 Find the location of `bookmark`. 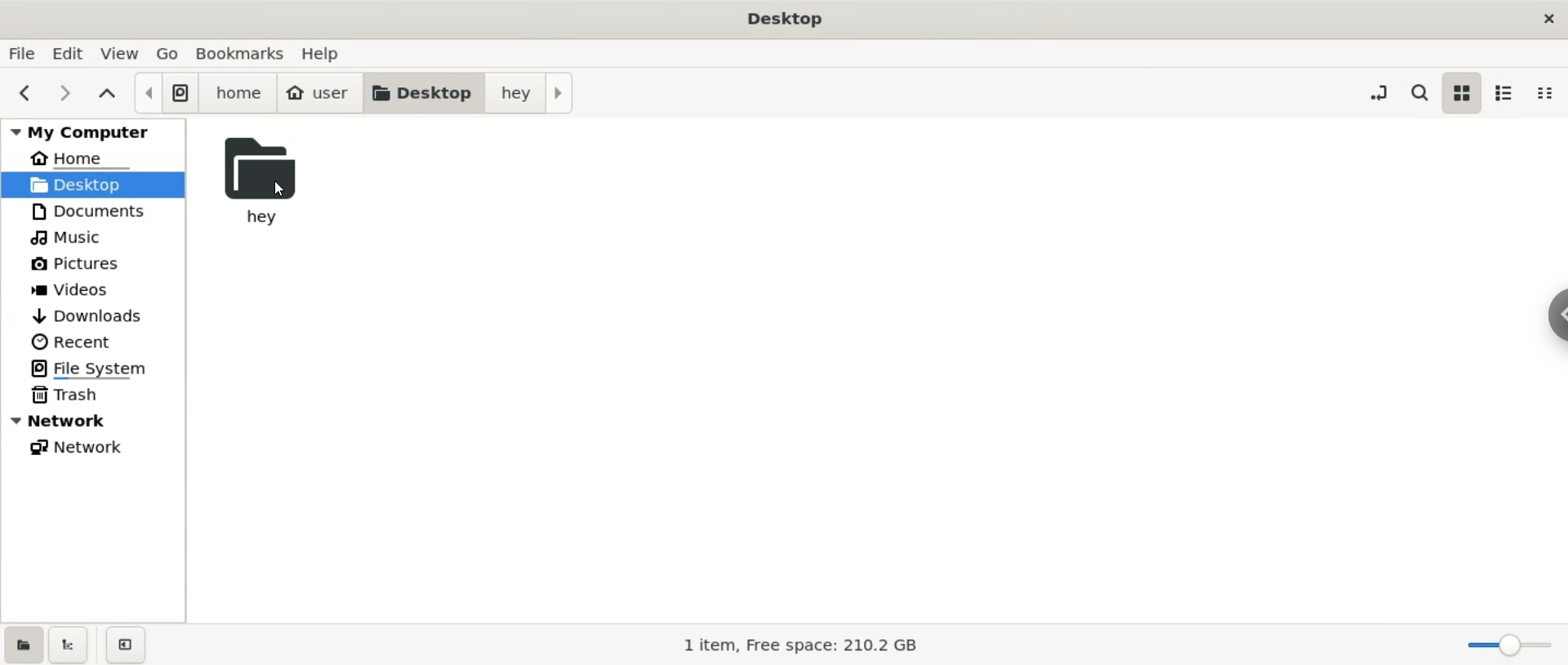

bookmark is located at coordinates (242, 53).